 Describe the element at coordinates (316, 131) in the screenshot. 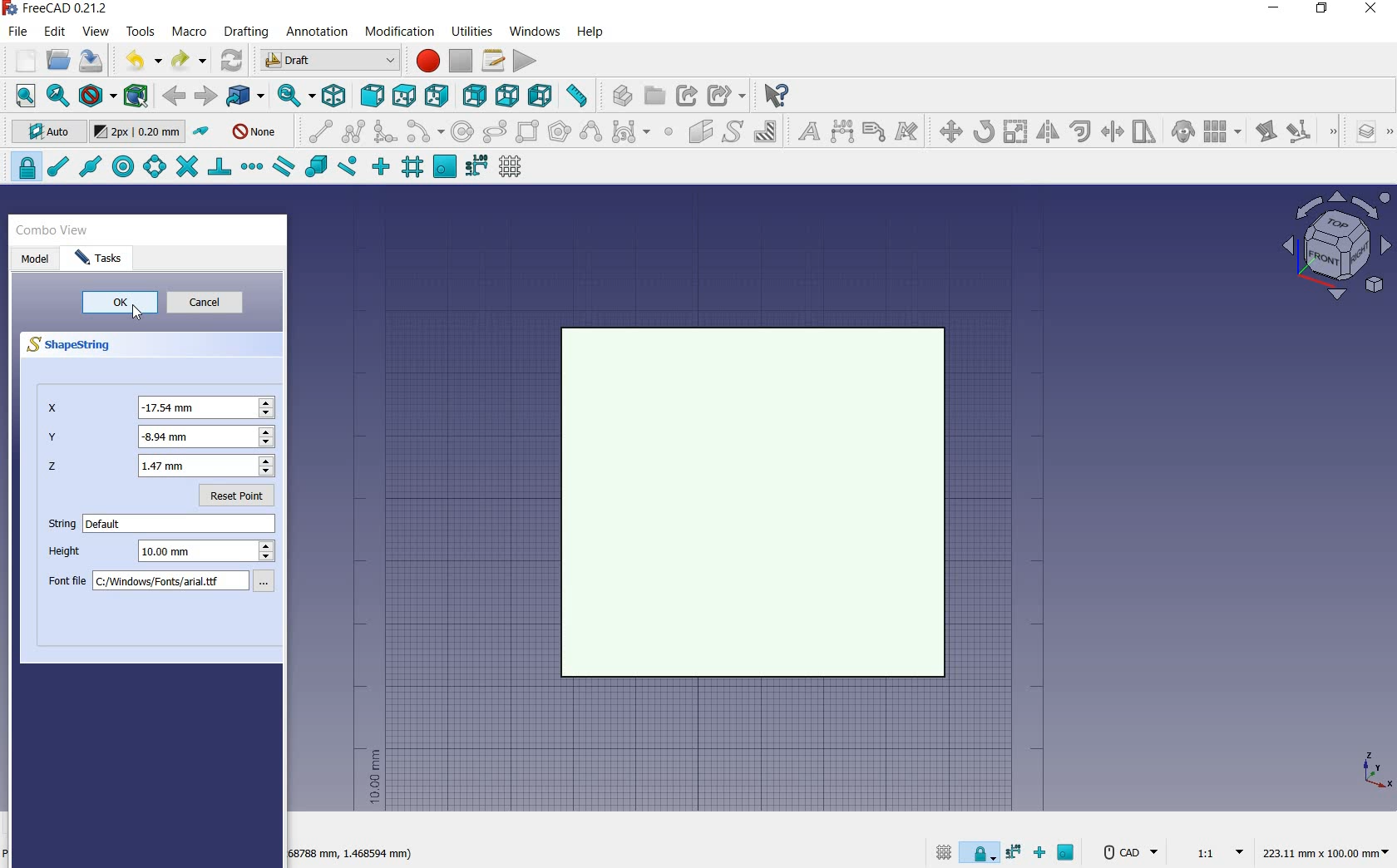

I see `line` at that location.